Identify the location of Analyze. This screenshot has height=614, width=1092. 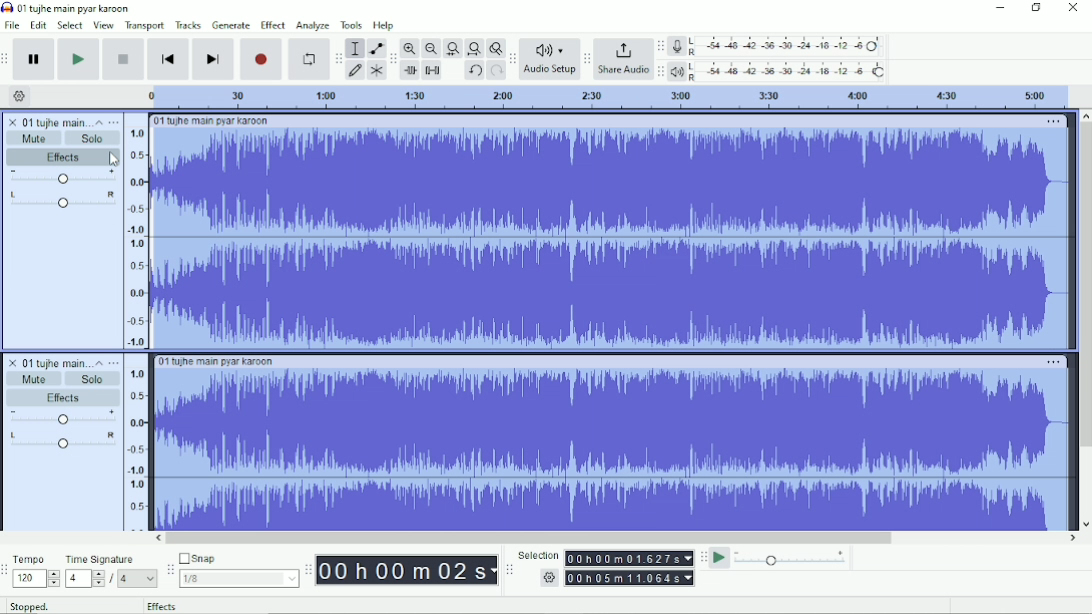
(313, 25).